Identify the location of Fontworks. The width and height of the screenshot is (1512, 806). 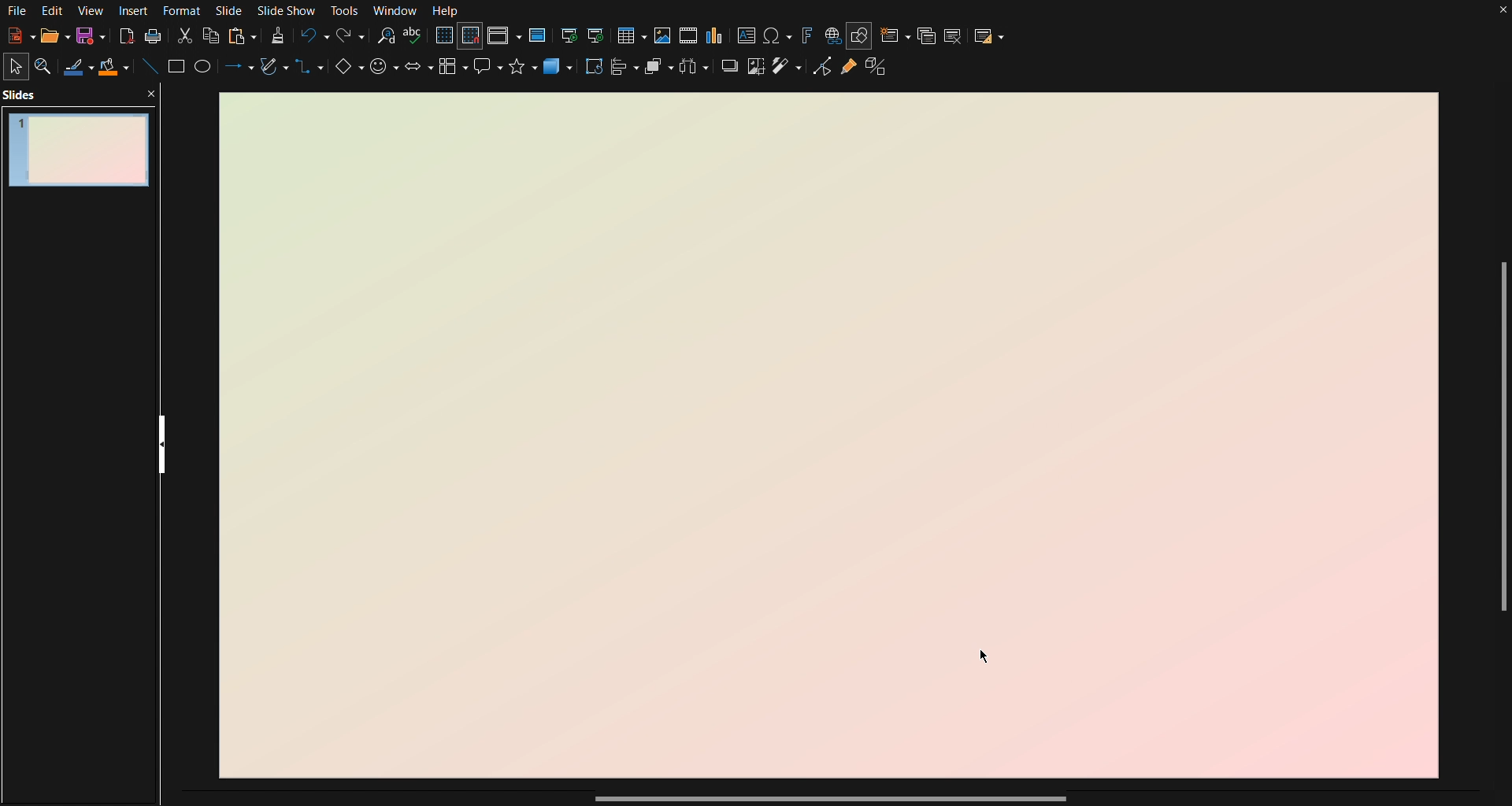
(806, 34).